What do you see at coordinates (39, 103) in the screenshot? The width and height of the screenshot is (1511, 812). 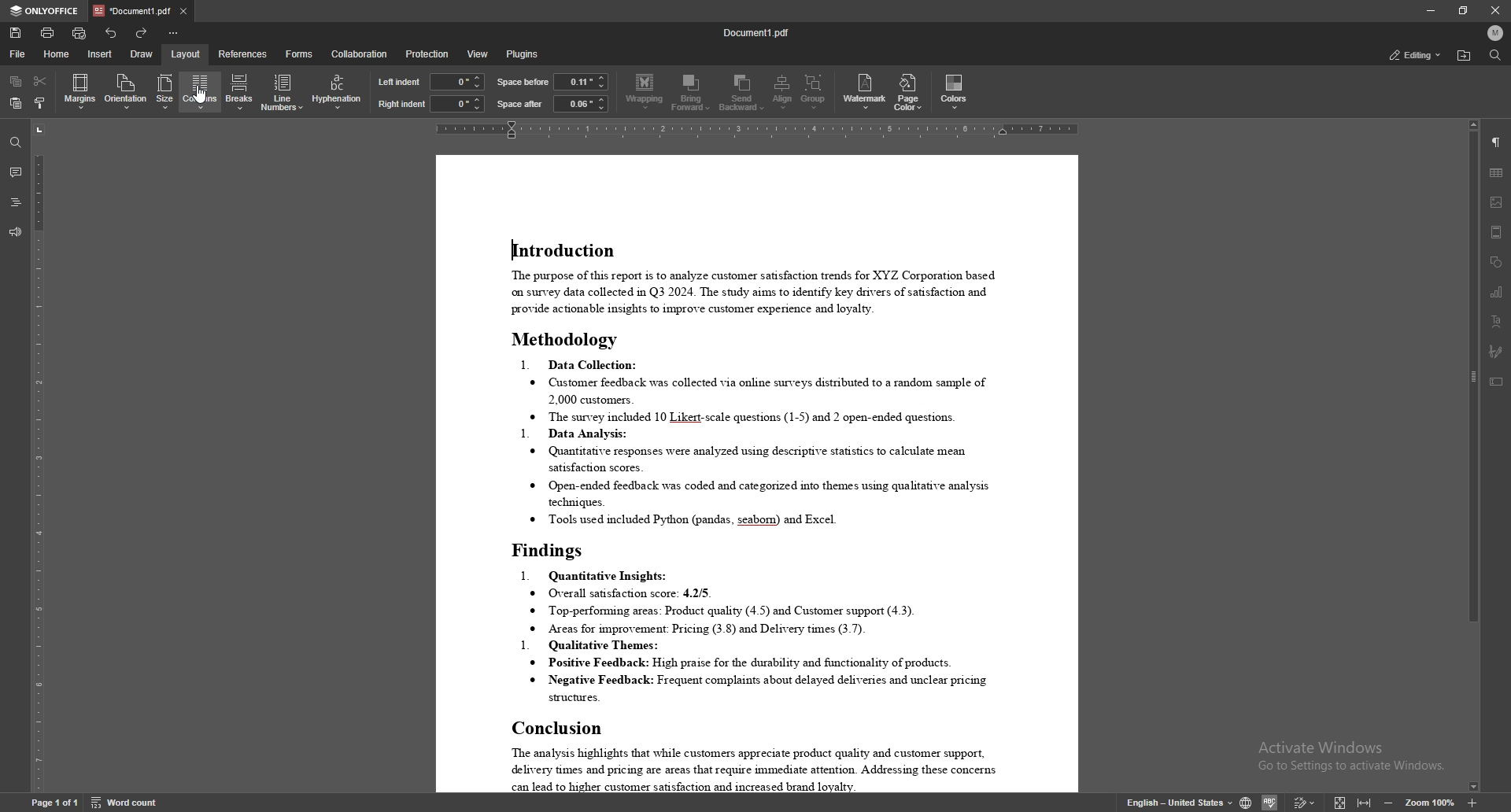 I see `copy style` at bounding box center [39, 103].